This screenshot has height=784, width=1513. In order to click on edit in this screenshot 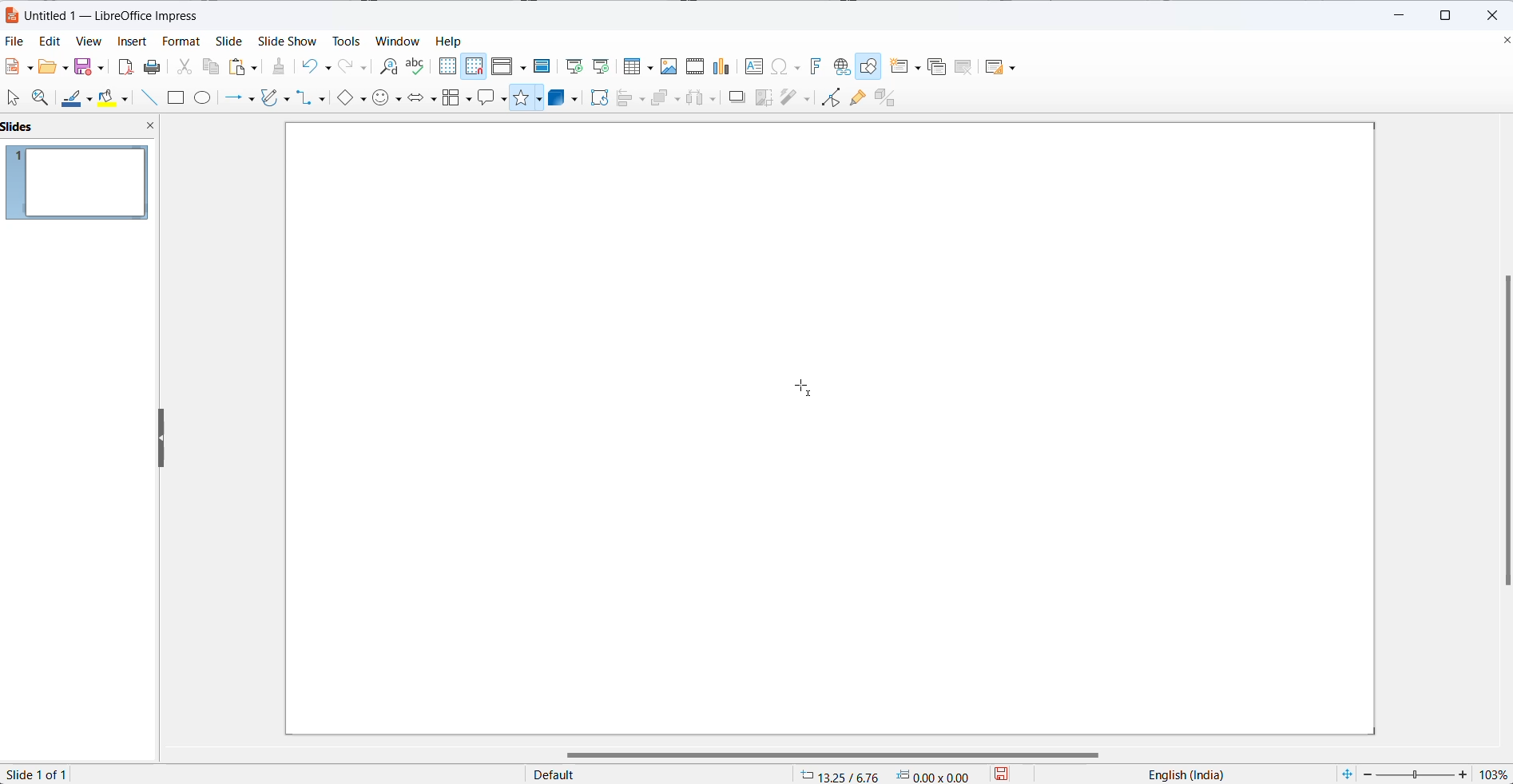, I will do `click(46, 42)`.